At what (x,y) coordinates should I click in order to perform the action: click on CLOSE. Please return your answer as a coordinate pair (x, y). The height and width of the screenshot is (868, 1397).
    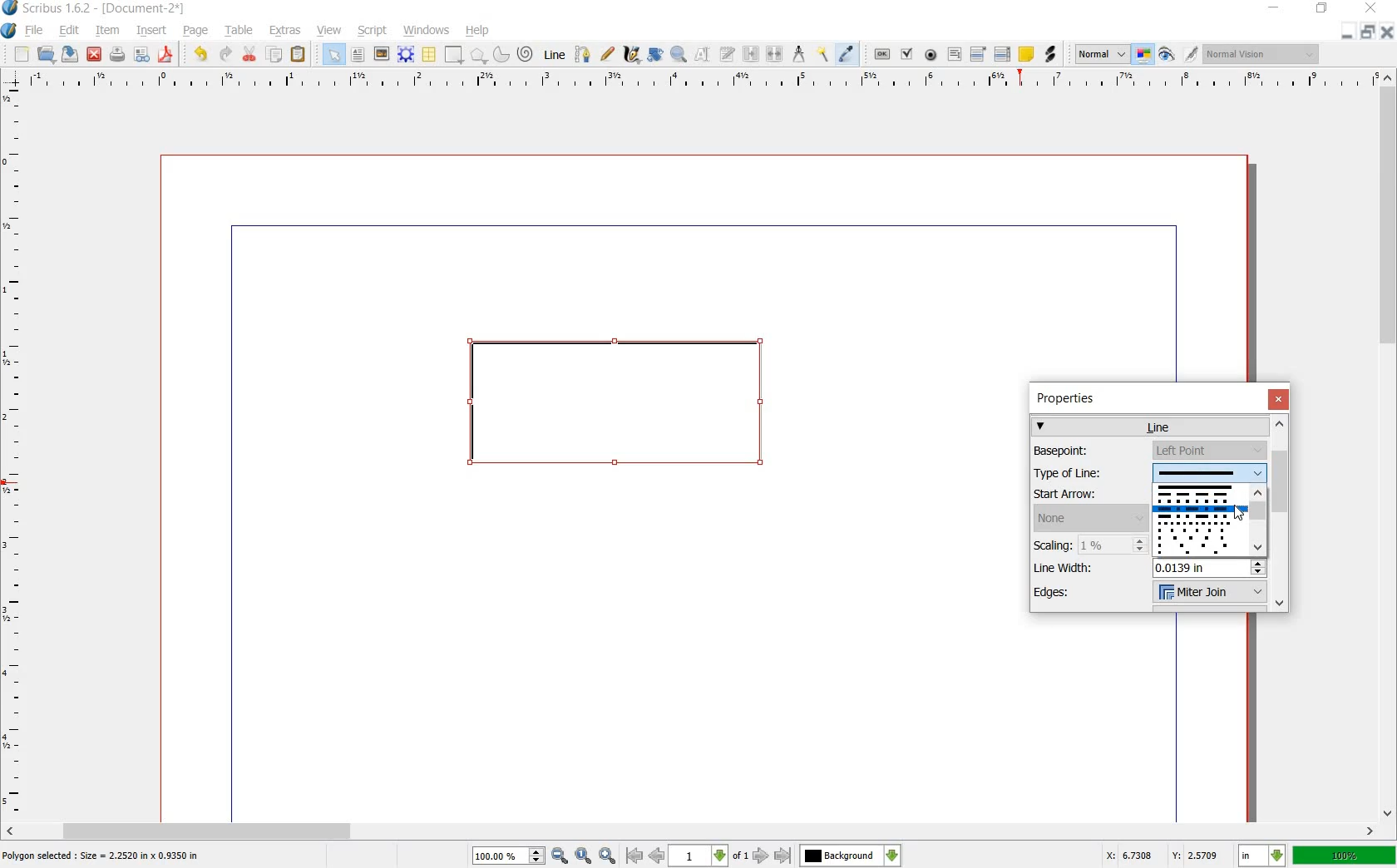
    Looking at the image, I should click on (94, 54).